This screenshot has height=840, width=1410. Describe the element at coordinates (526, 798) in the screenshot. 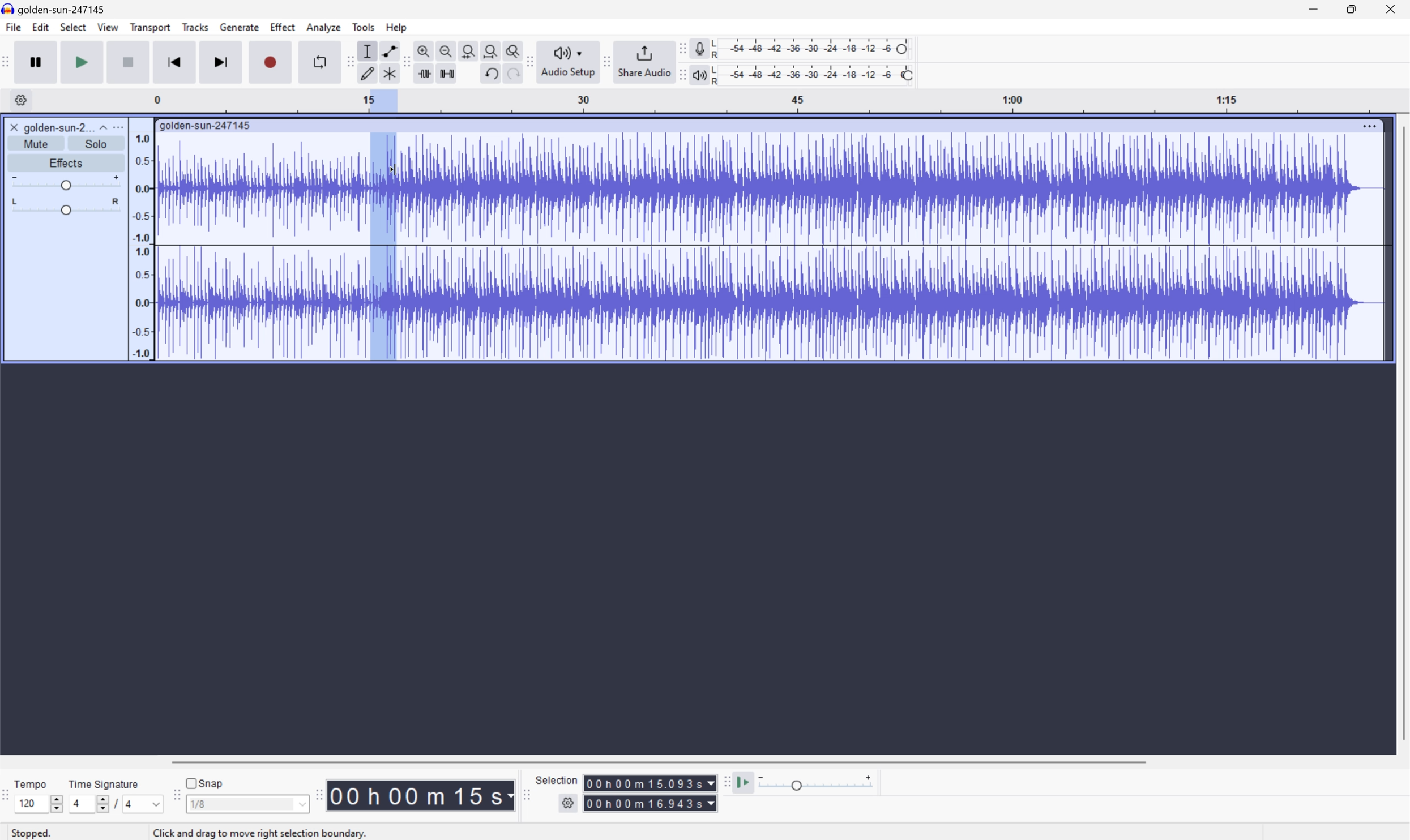

I see `Audacity selection toolbar` at that location.